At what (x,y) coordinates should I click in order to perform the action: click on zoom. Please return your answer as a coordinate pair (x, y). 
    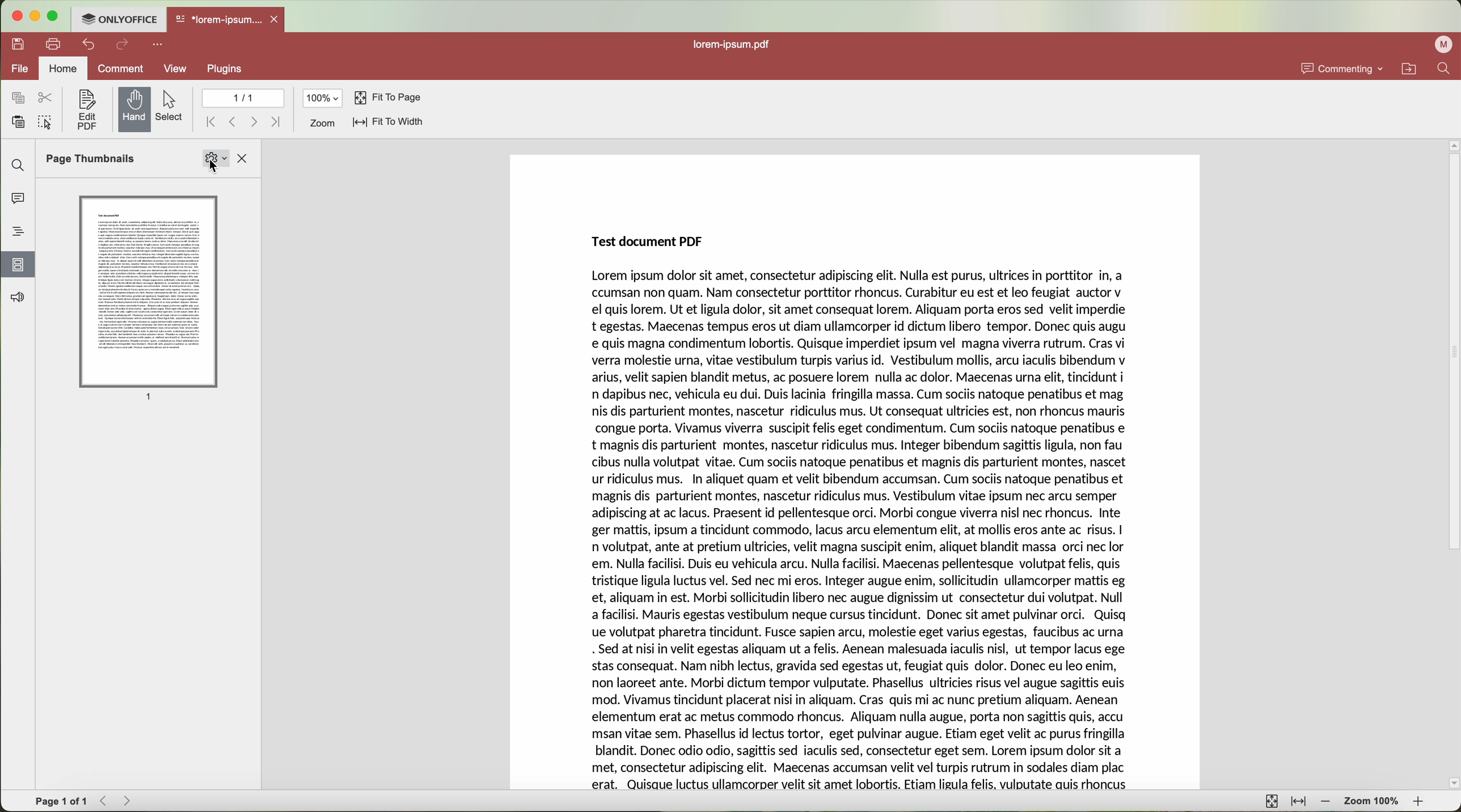
    Looking at the image, I should click on (323, 123).